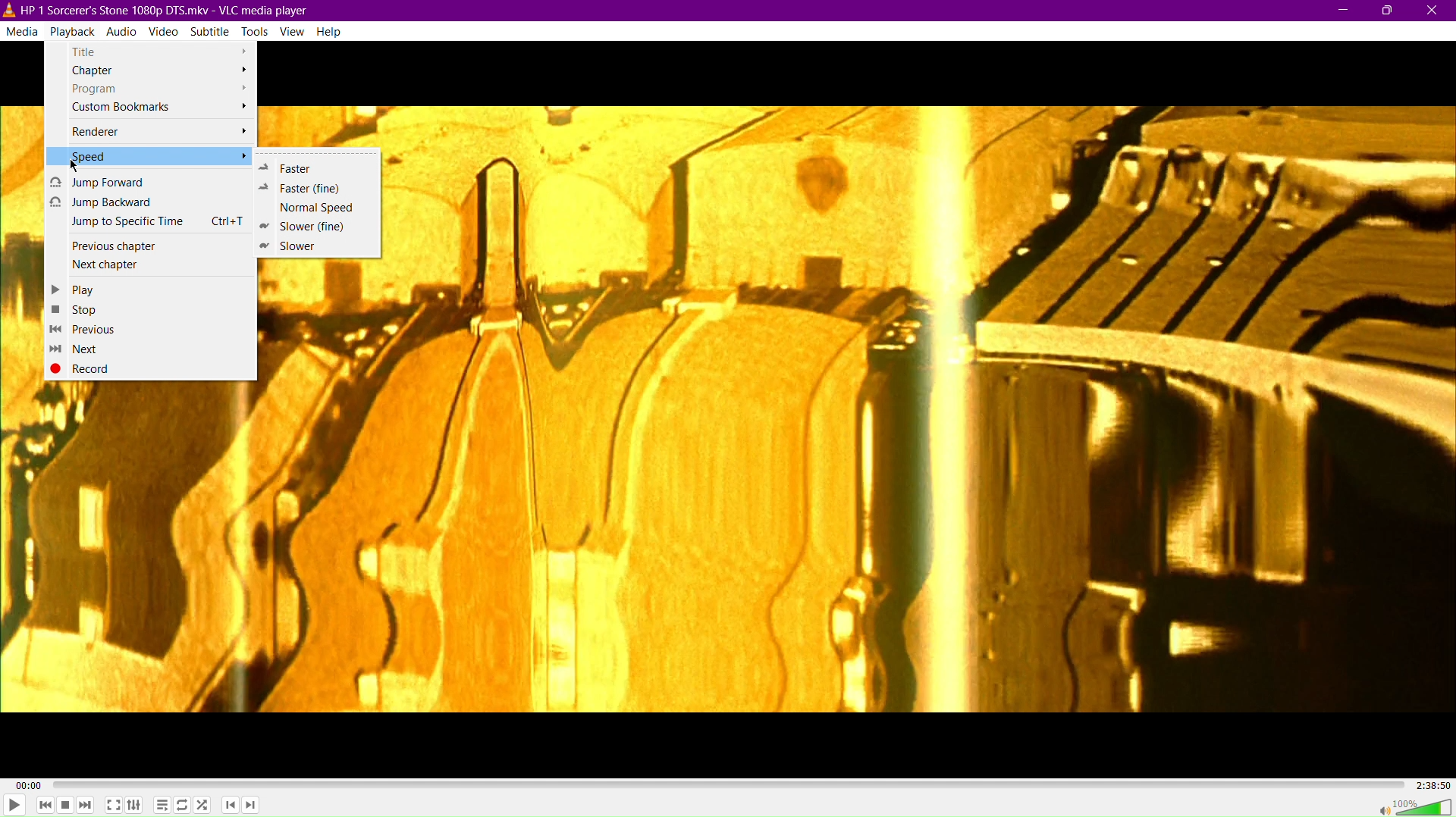  I want to click on Speed, so click(149, 156).